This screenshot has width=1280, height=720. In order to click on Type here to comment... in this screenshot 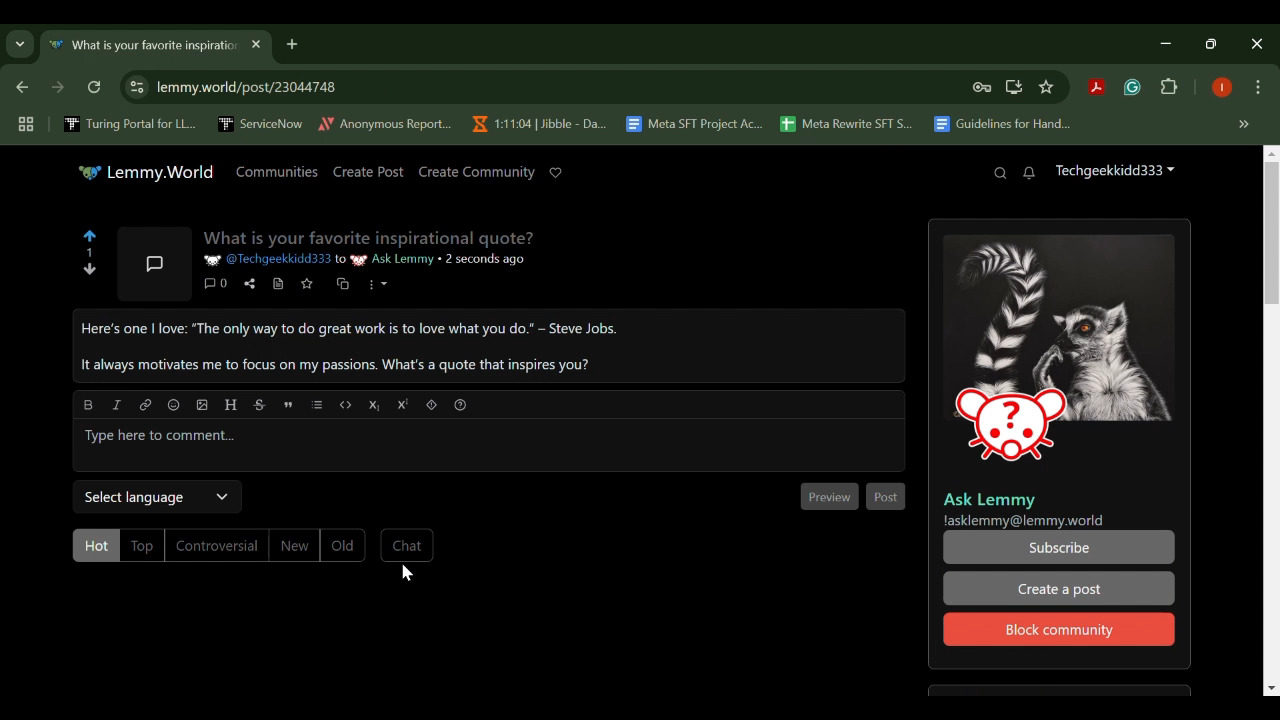, I will do `click(488, 446)`.